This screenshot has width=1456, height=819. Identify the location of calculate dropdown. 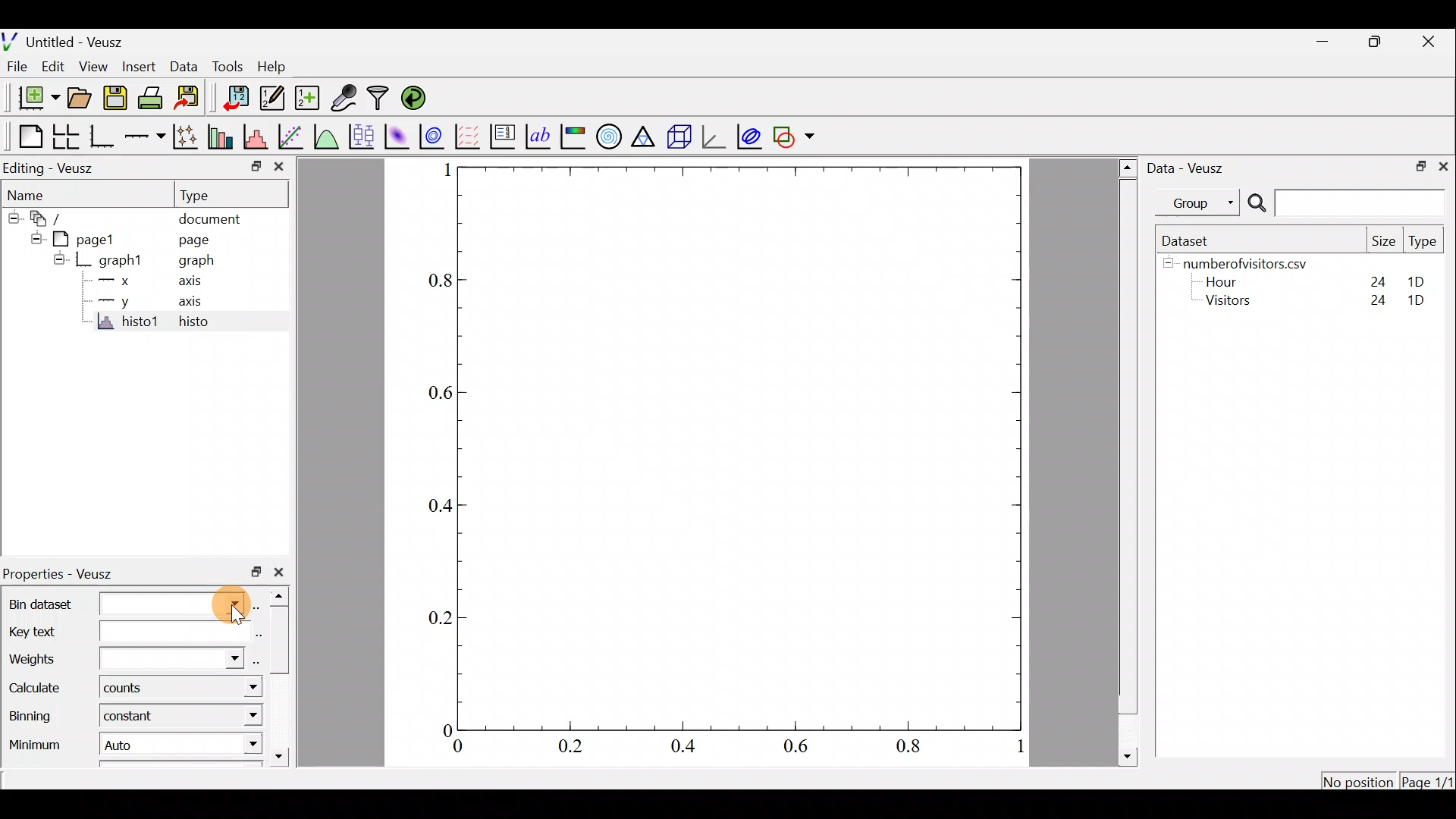
(240, 687).